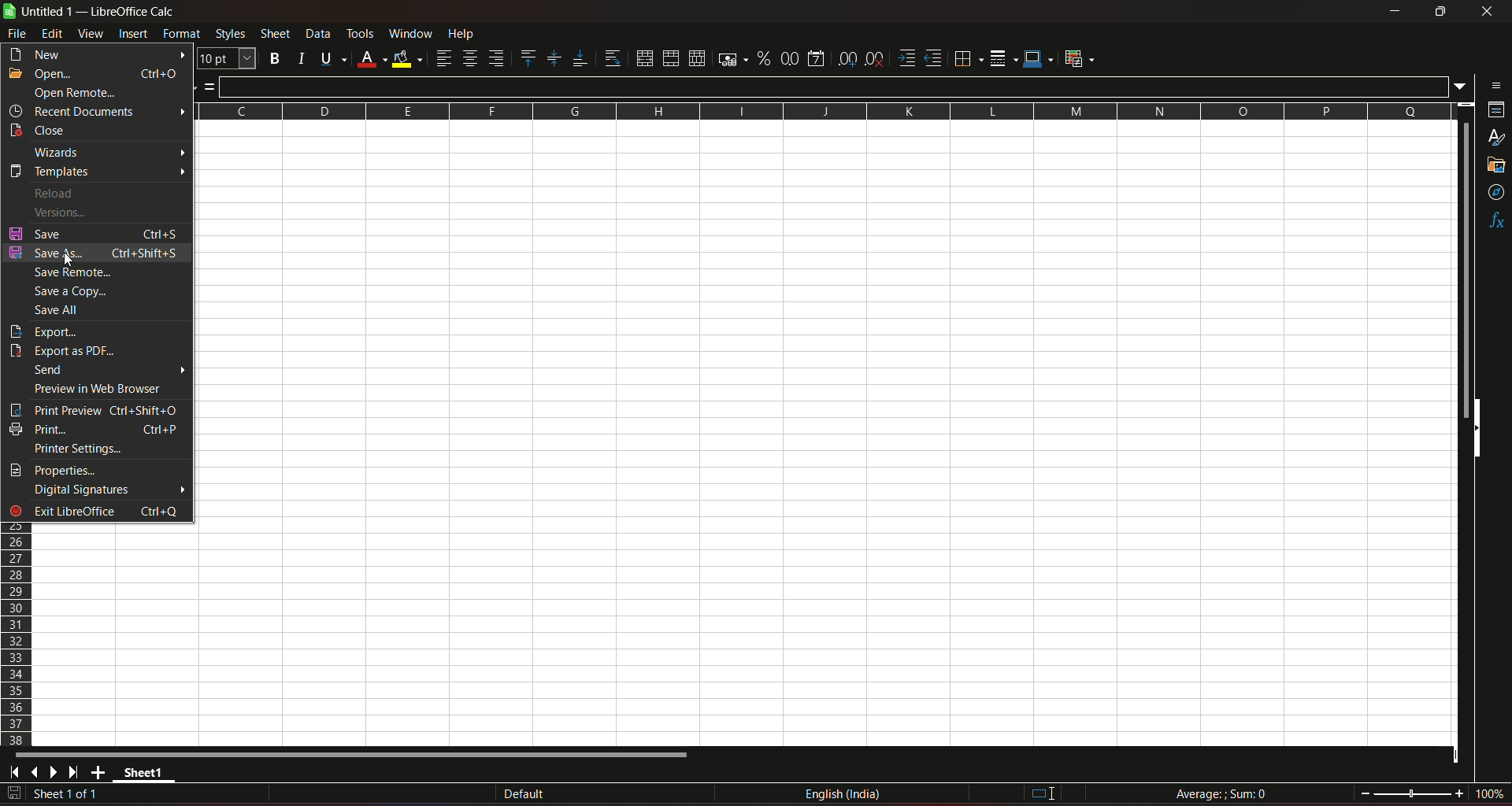 The image size is (1512, 806). Describe the element at coordinates (275, 57) in the screenshot. I see `bold` at that location.